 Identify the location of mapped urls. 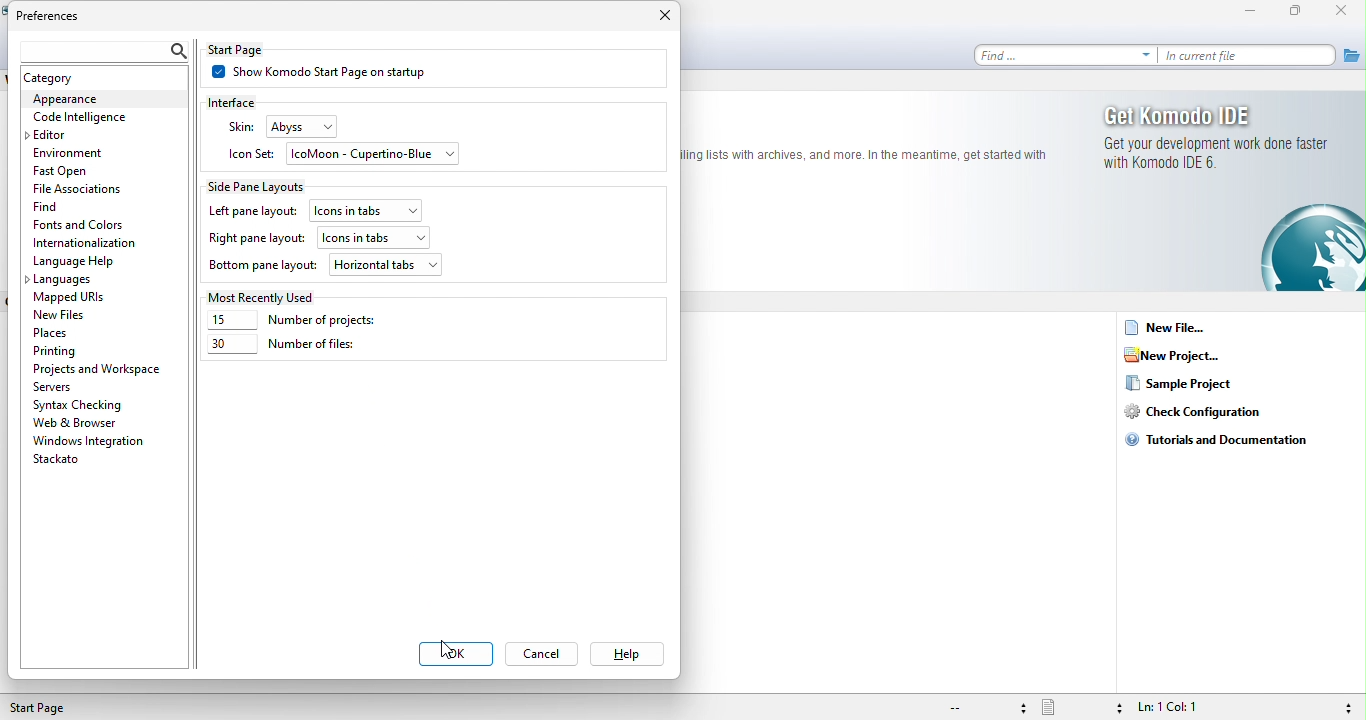
(75, 298).